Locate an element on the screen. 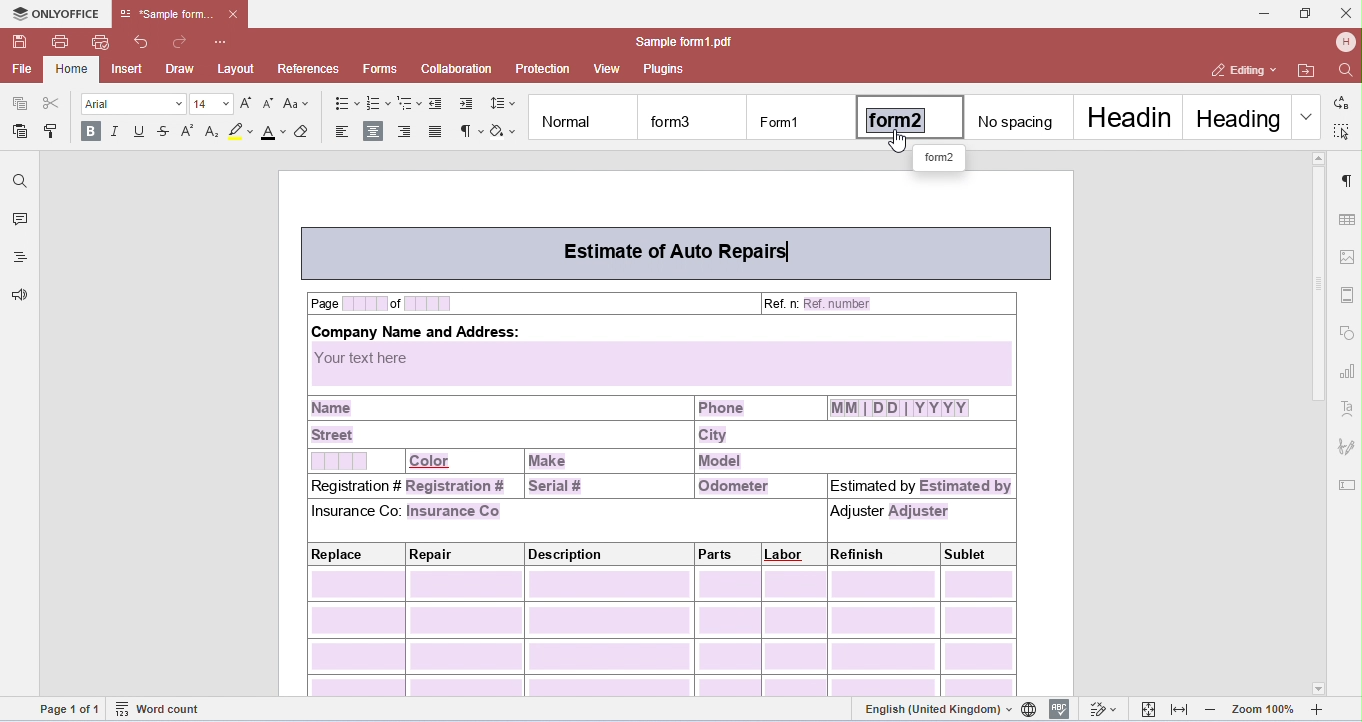 This screenshot has height=722, width=1362. home is located at coordinates (73, 70).